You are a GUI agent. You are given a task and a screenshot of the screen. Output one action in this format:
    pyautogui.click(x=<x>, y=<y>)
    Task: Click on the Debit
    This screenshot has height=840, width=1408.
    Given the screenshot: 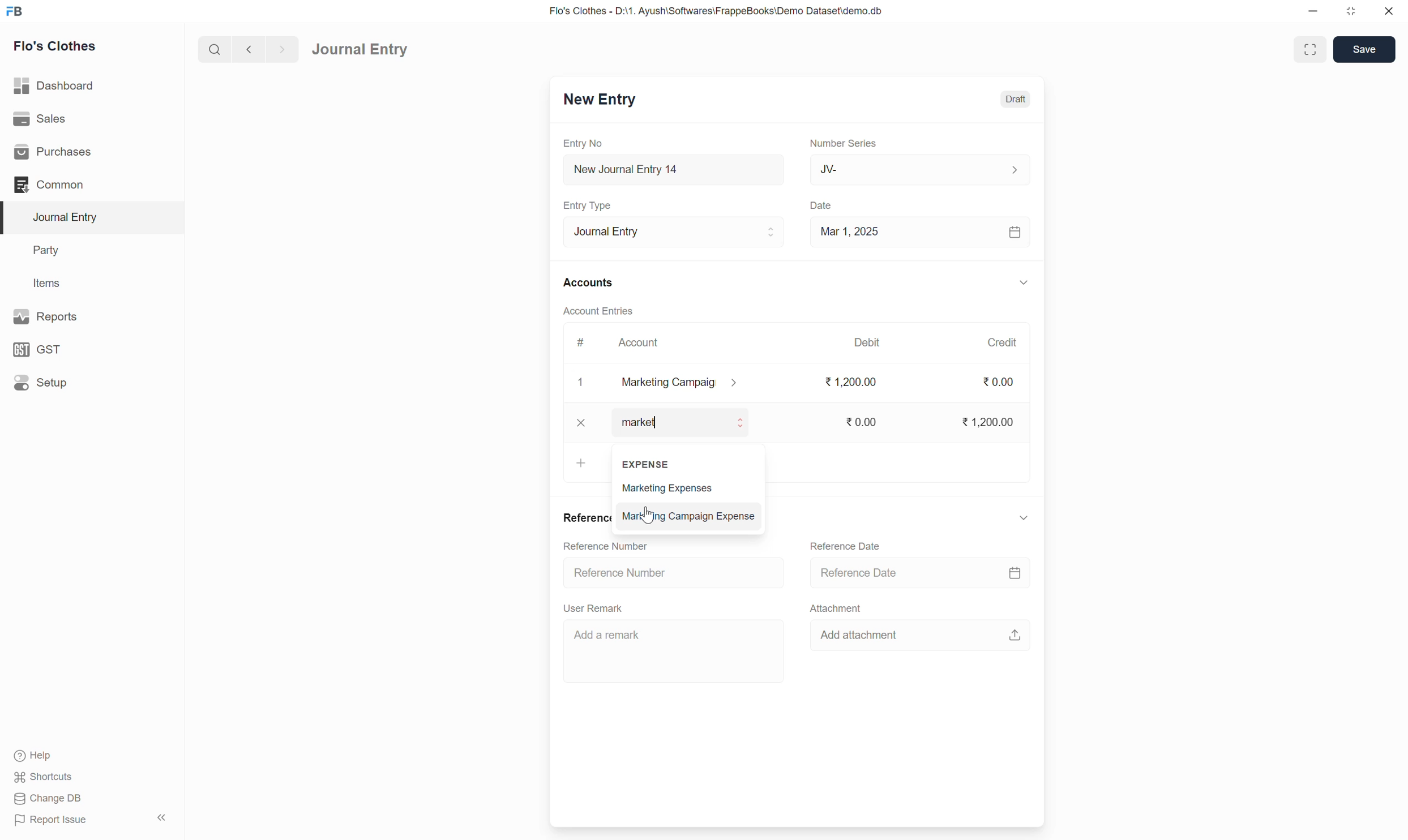 What is the action you would take?
    pyautogui.click(x=867, y=341)
    